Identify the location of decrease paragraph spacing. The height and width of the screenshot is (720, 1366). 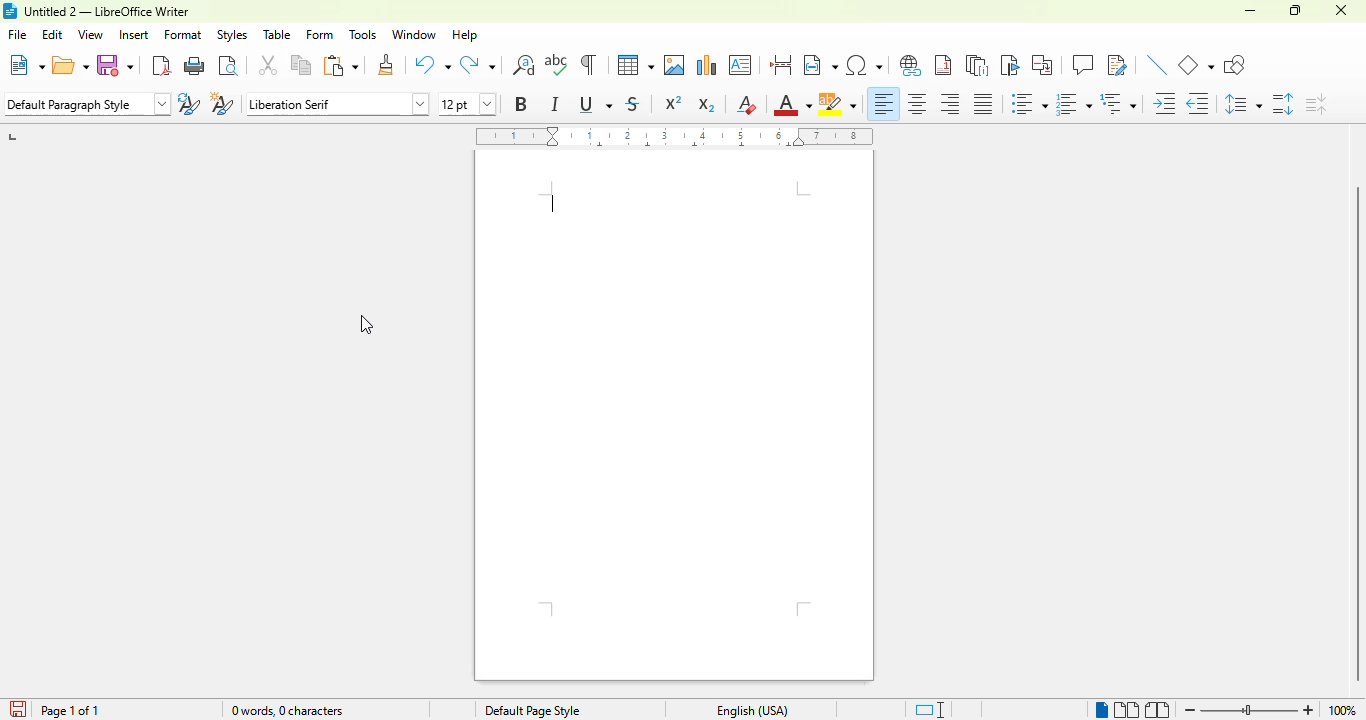
(1316, 105).